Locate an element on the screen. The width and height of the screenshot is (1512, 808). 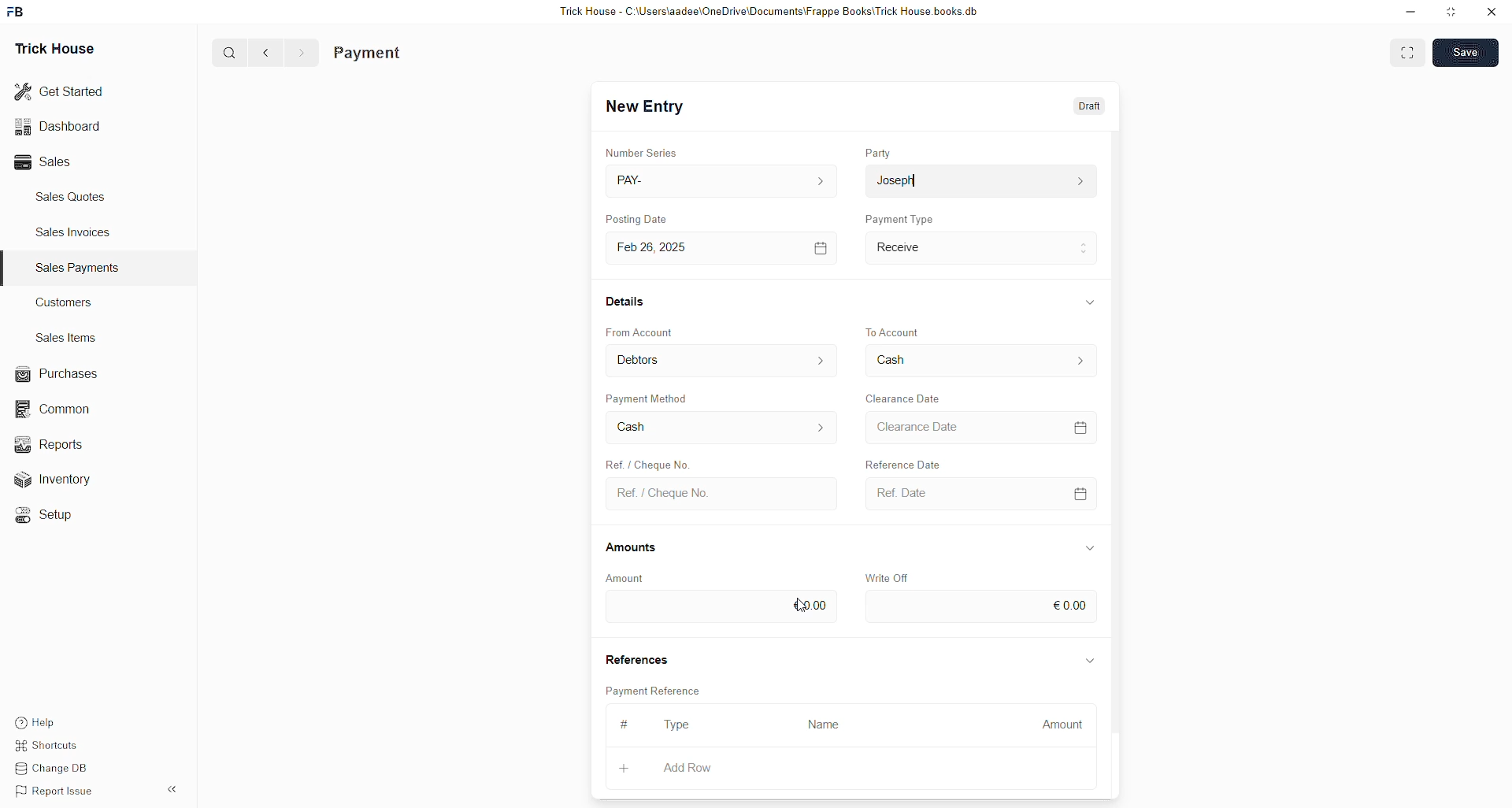
Save is located at coordinates (1465, 52).